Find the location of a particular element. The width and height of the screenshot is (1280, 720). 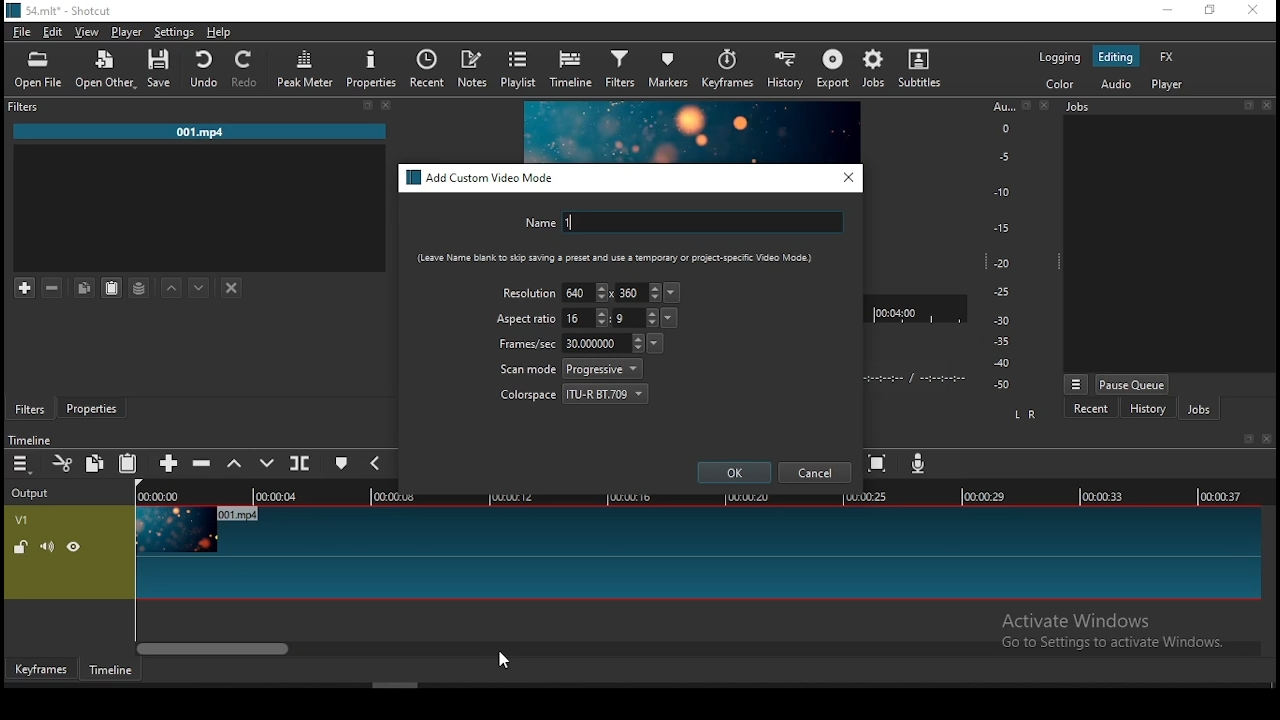

keyframes is located at coordinates (727, 72).